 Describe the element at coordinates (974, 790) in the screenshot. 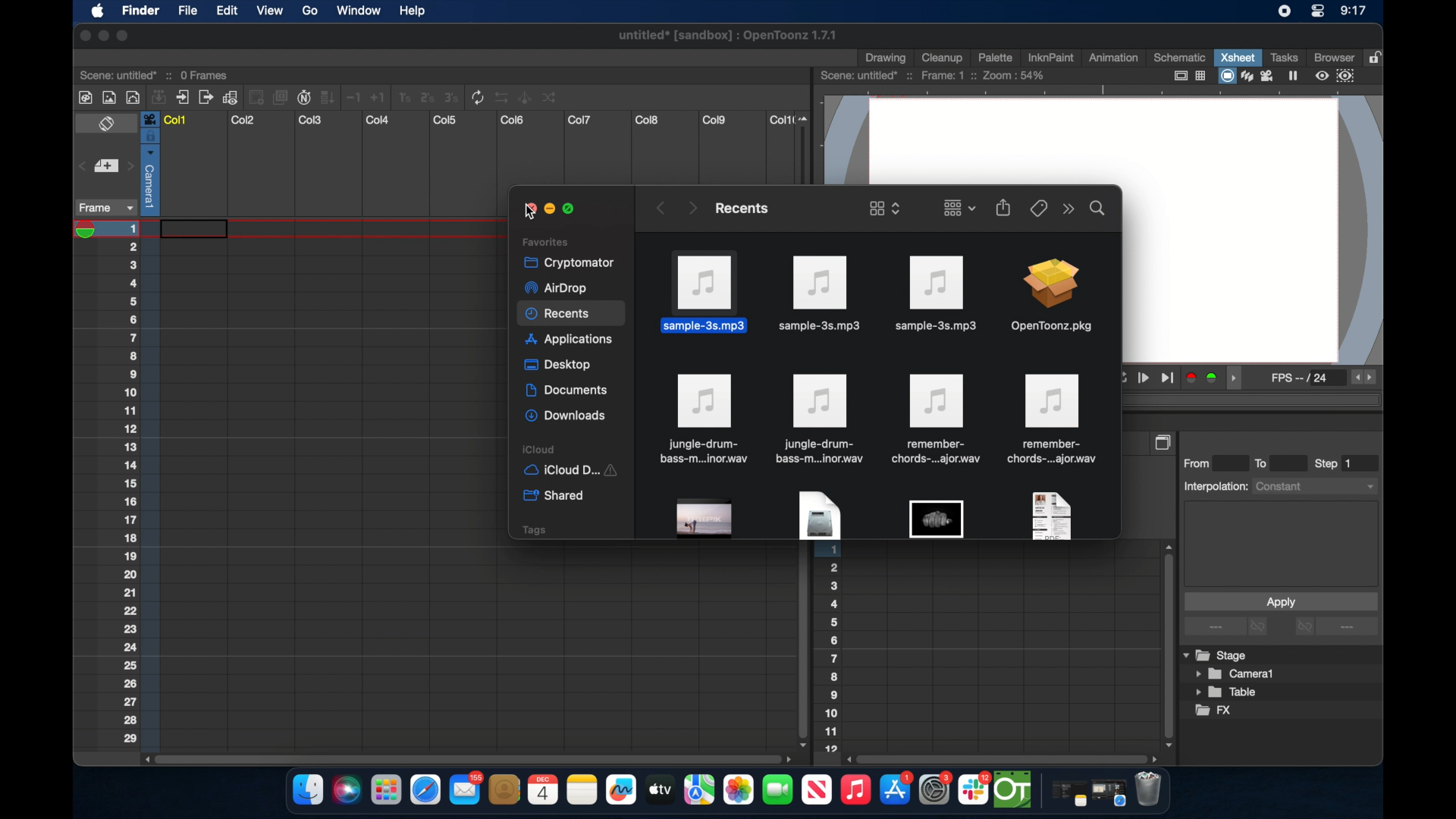

I see `slack` at that location.